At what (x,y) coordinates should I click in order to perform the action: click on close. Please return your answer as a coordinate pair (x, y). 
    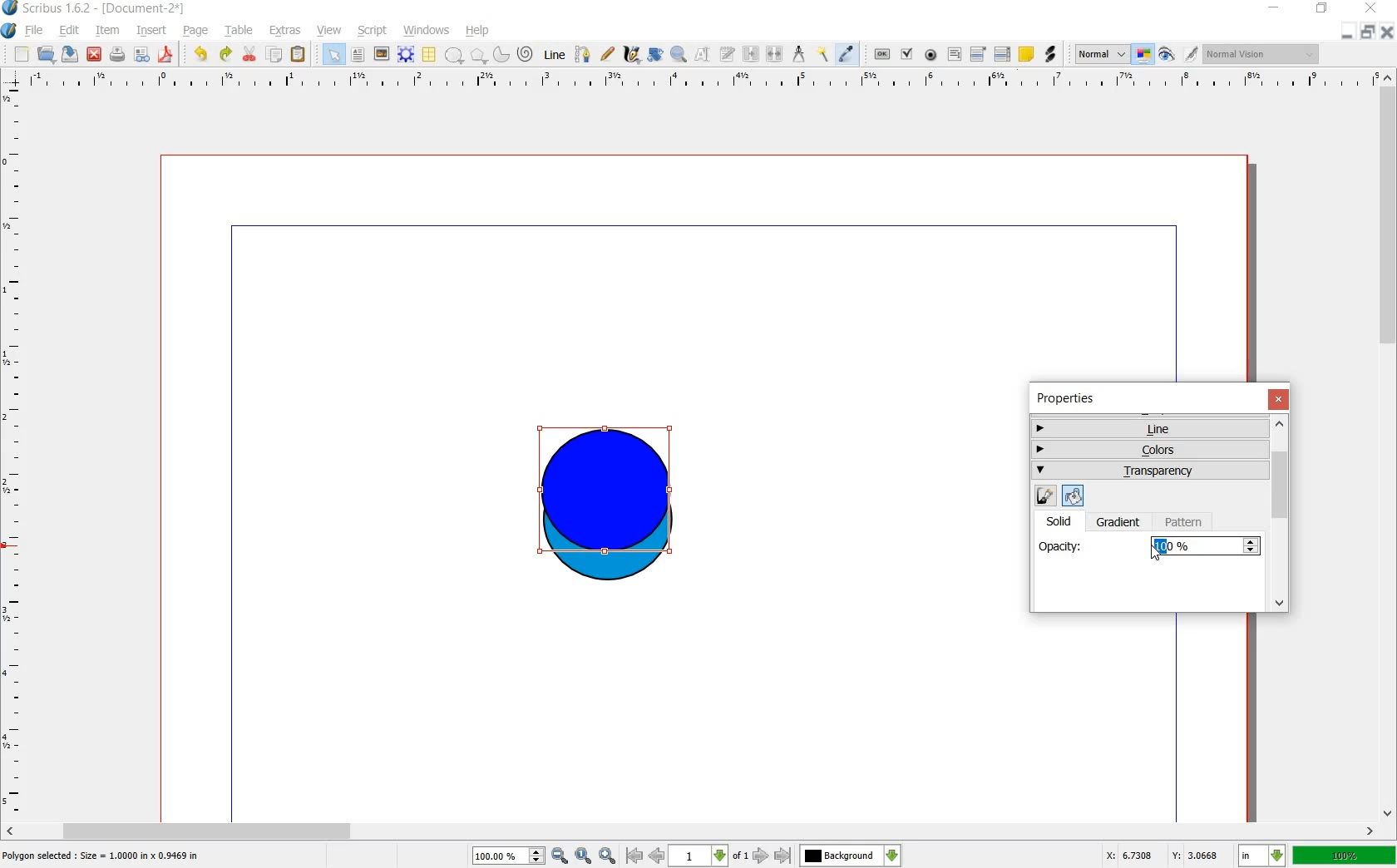
    Looking at the image, I should click on (1374, 8).